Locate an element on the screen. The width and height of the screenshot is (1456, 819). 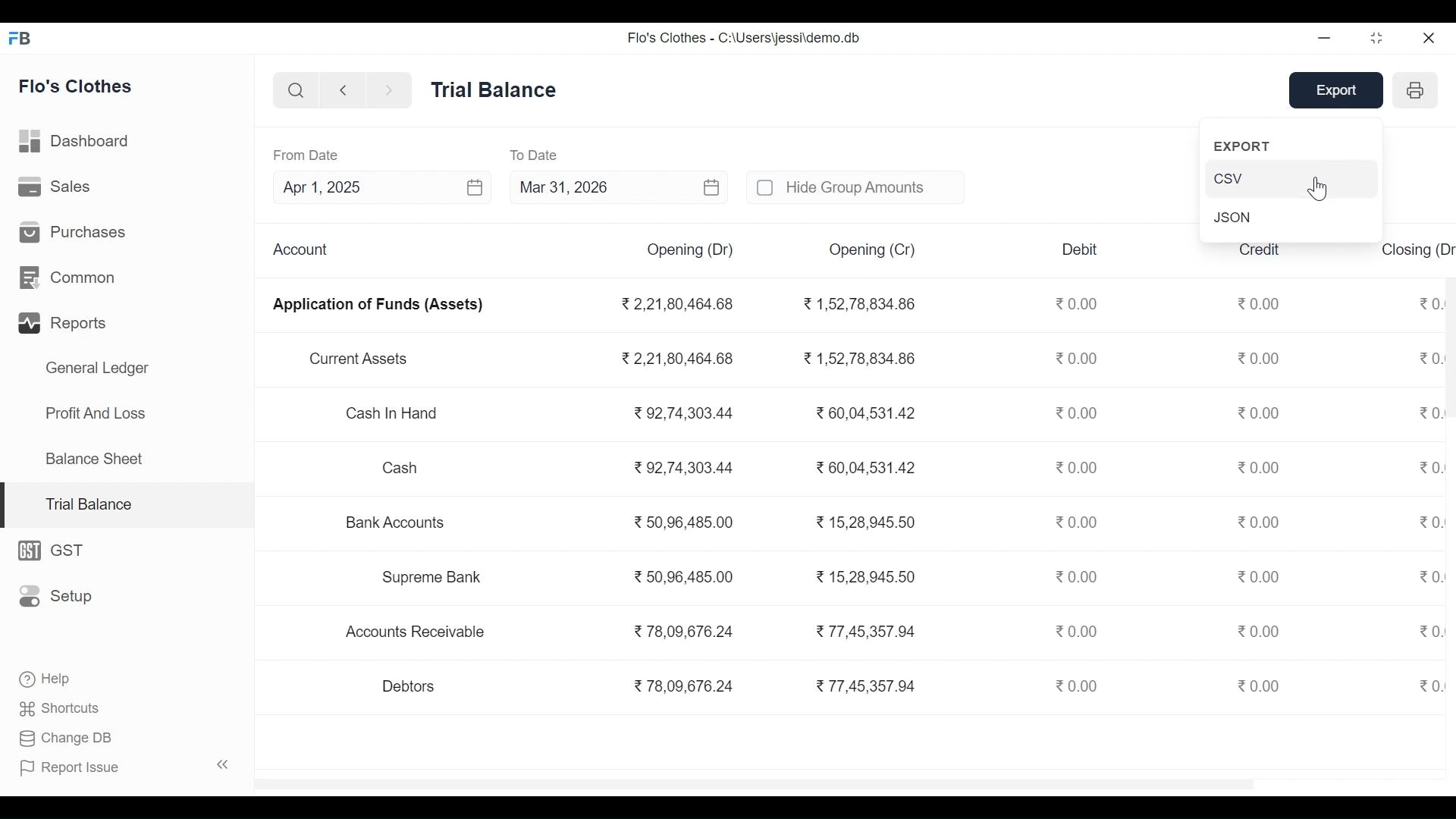
0.00 is located at coordinates (1078, 467).